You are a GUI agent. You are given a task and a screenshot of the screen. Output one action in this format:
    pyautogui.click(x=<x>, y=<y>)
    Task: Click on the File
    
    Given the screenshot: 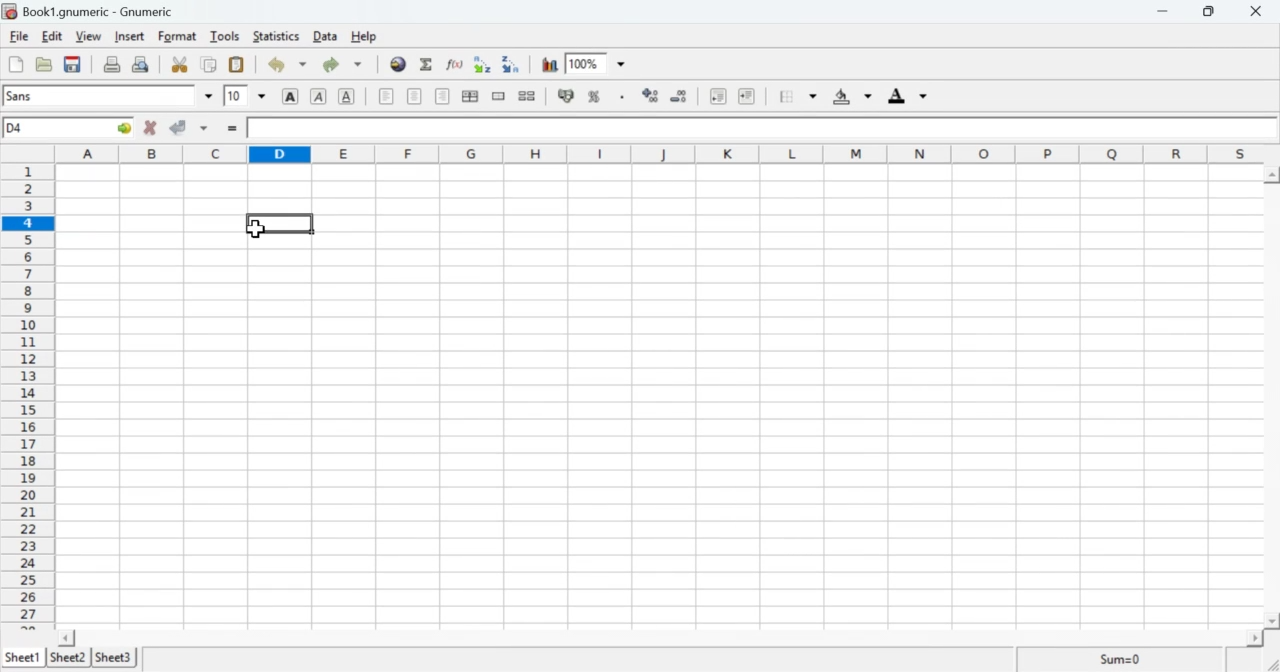 What is the action you would take?
    pyautogui.click(x=19, y=37)
    